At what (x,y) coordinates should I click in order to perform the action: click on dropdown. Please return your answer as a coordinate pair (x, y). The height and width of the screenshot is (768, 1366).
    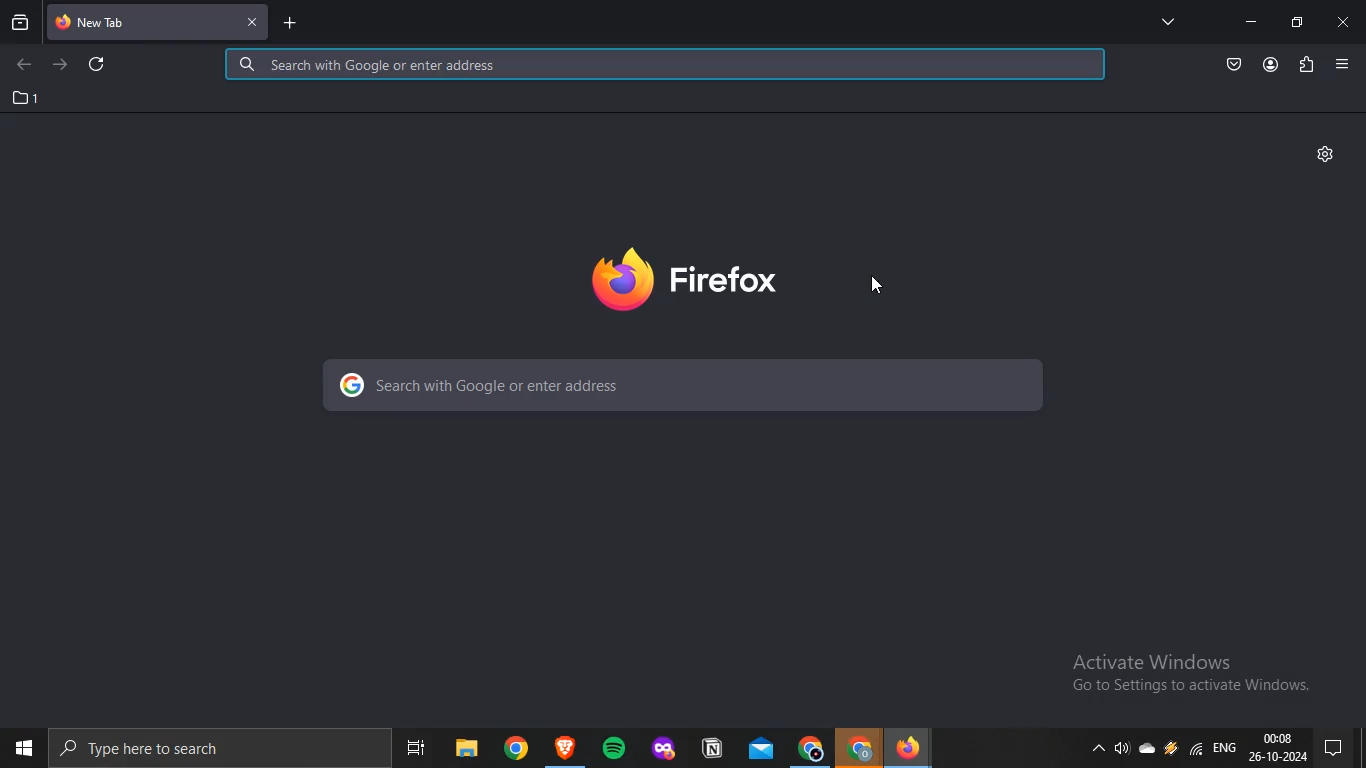
    Looking at the image, I should click on (1092, 750).